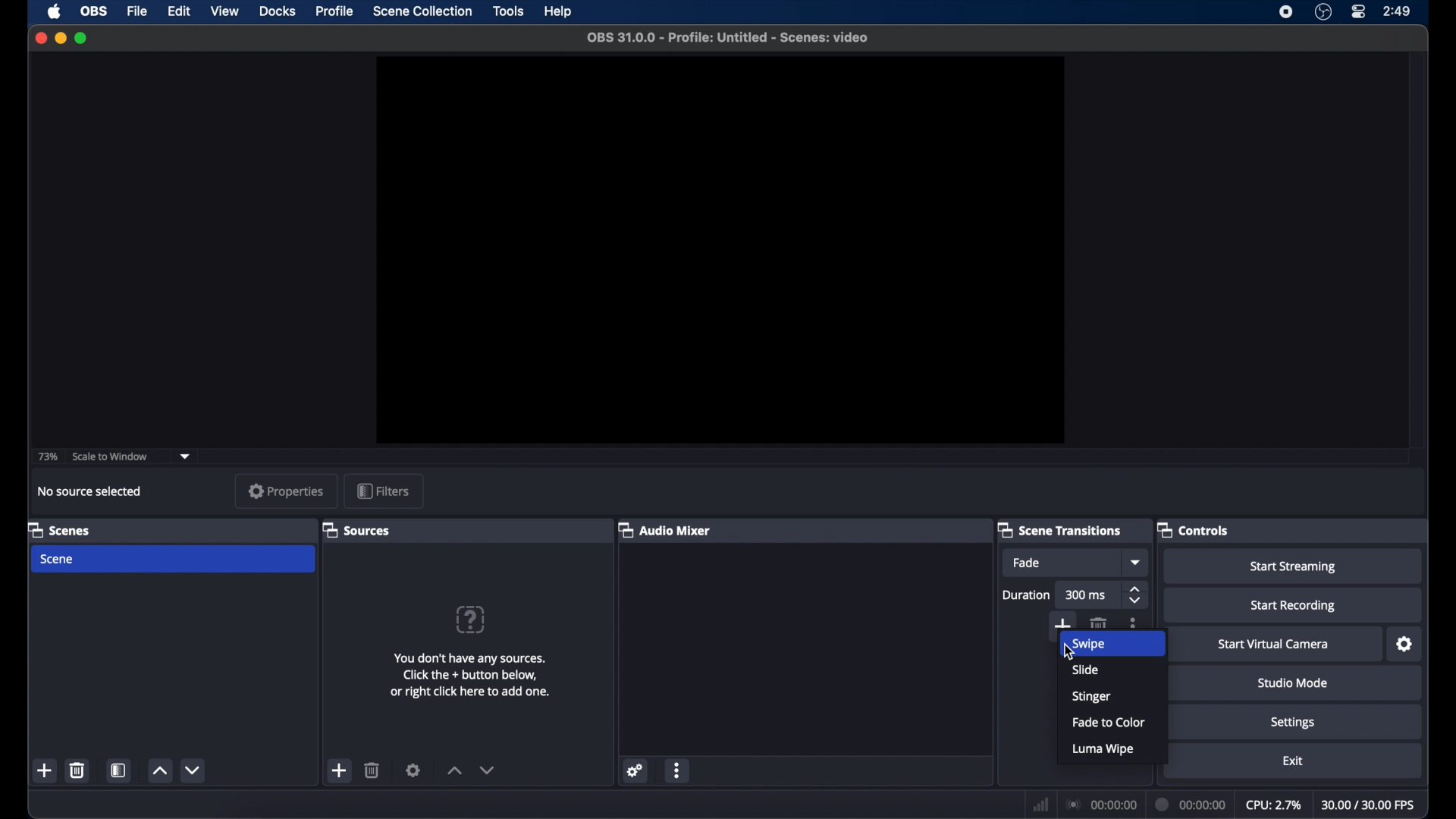 The image size is (1456, 819). I want to click on duration, so click(1188, 803).